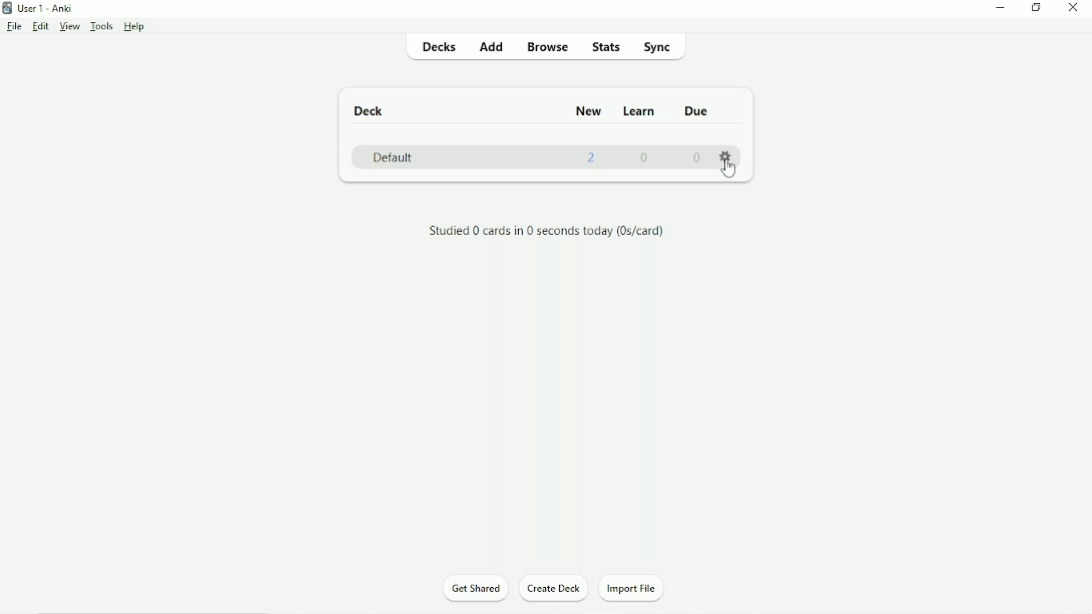  Describe the element at coordinates (1037, 8) in the screenshot. I see `Restore down` at that location.